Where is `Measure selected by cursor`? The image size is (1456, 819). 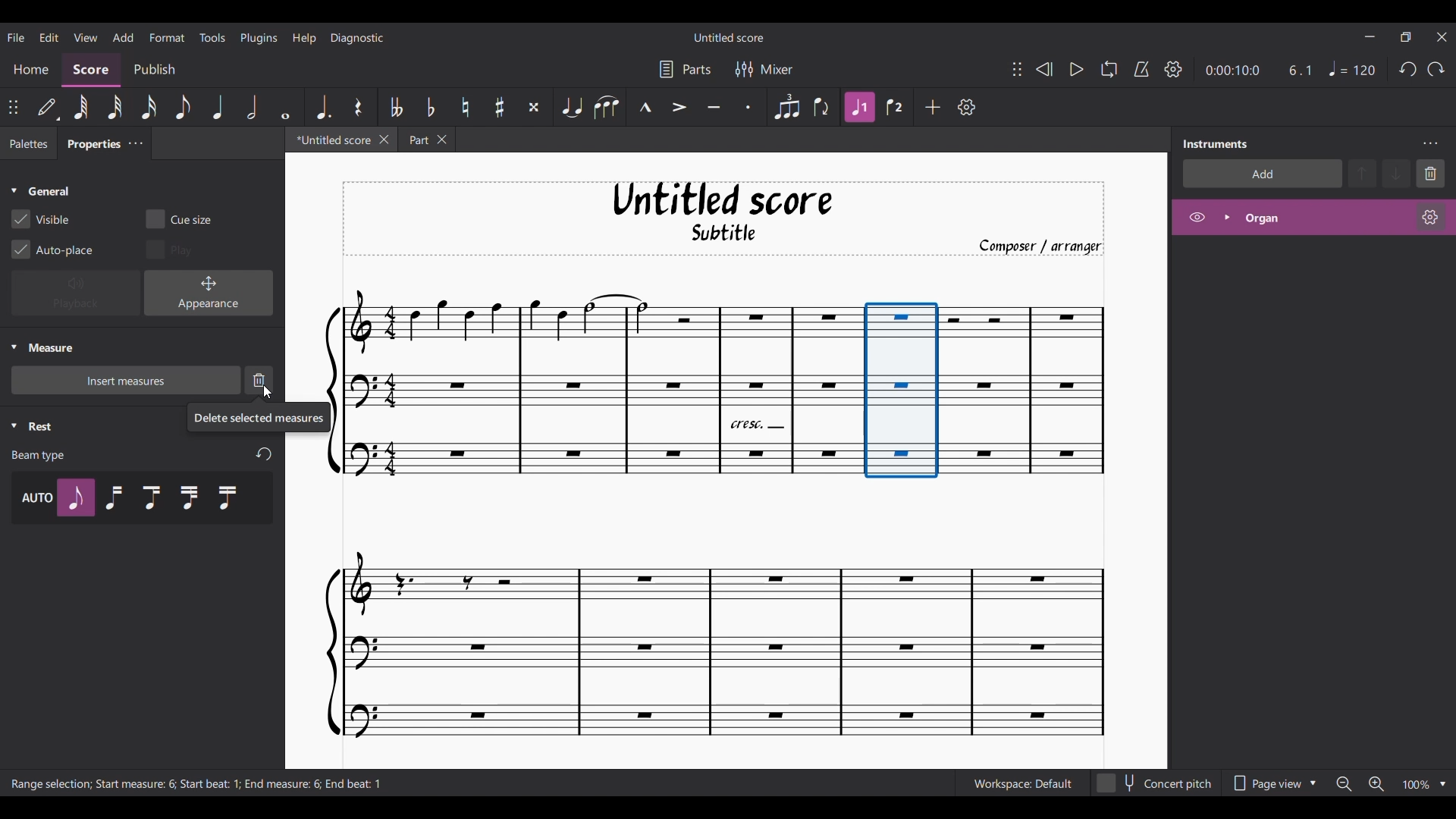 Measure selected by cursor is located at coordinates (902, 391).